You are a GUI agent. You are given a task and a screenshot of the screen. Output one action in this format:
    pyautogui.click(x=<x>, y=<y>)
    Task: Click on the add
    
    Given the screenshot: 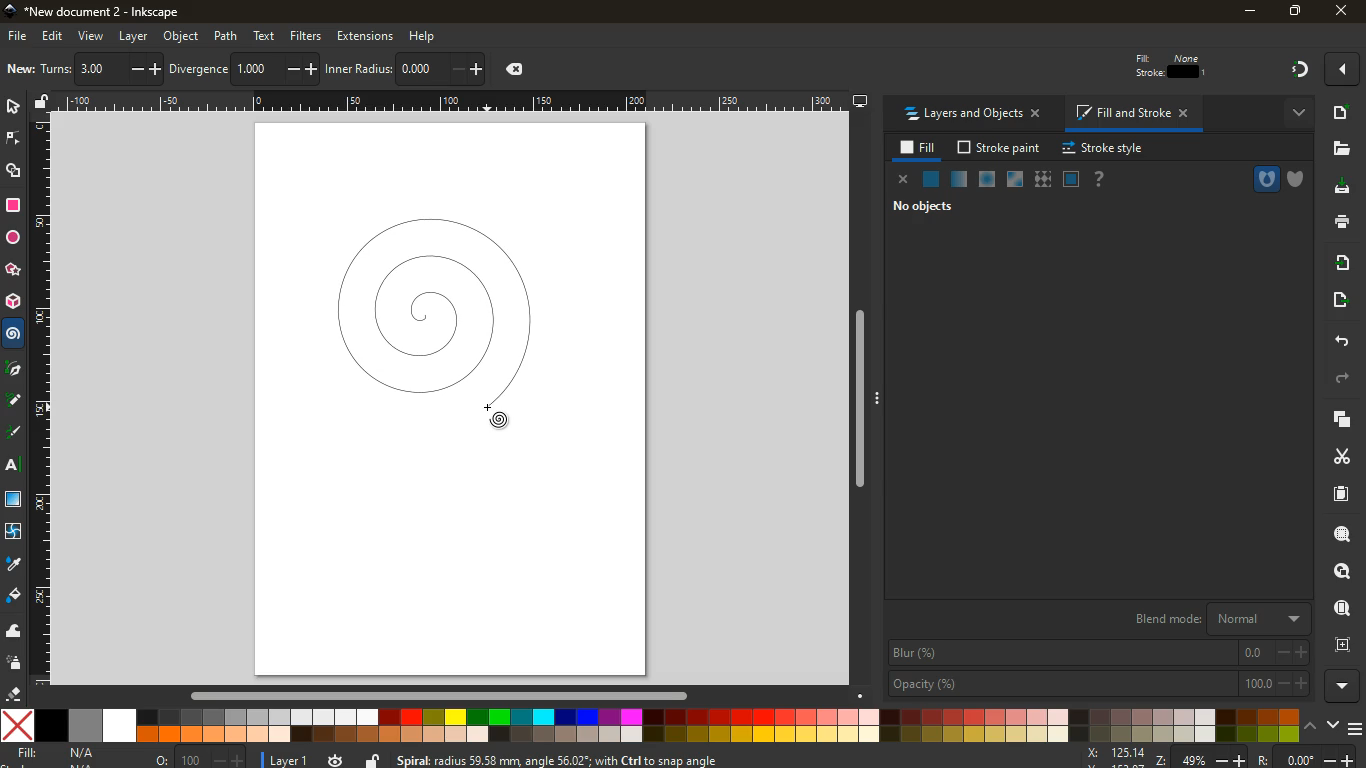 What is the action you would take?
    pyautogui.click(x=1341, y=115)
    